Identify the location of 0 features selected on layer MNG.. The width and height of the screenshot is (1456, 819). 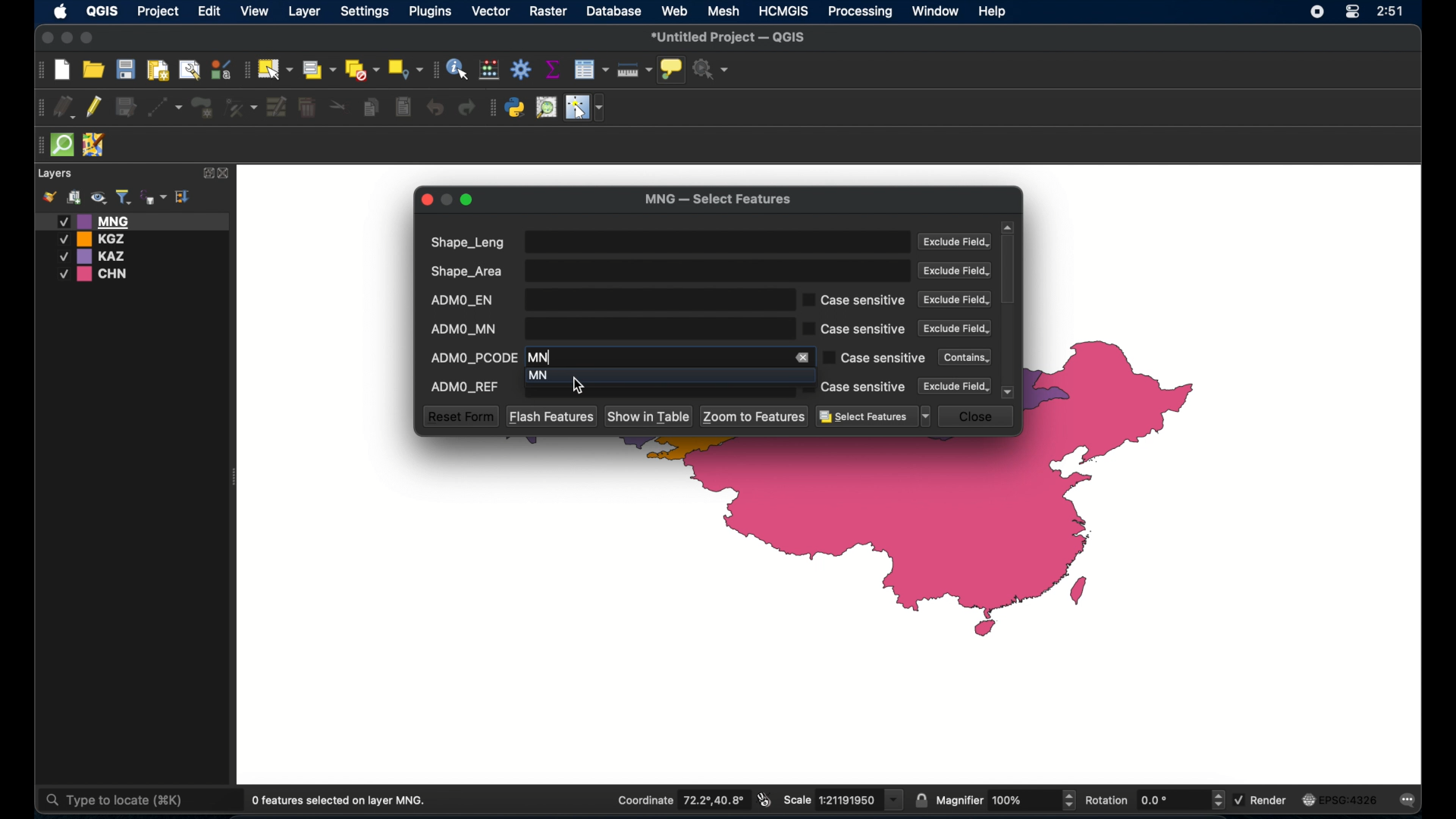
(342, 801).